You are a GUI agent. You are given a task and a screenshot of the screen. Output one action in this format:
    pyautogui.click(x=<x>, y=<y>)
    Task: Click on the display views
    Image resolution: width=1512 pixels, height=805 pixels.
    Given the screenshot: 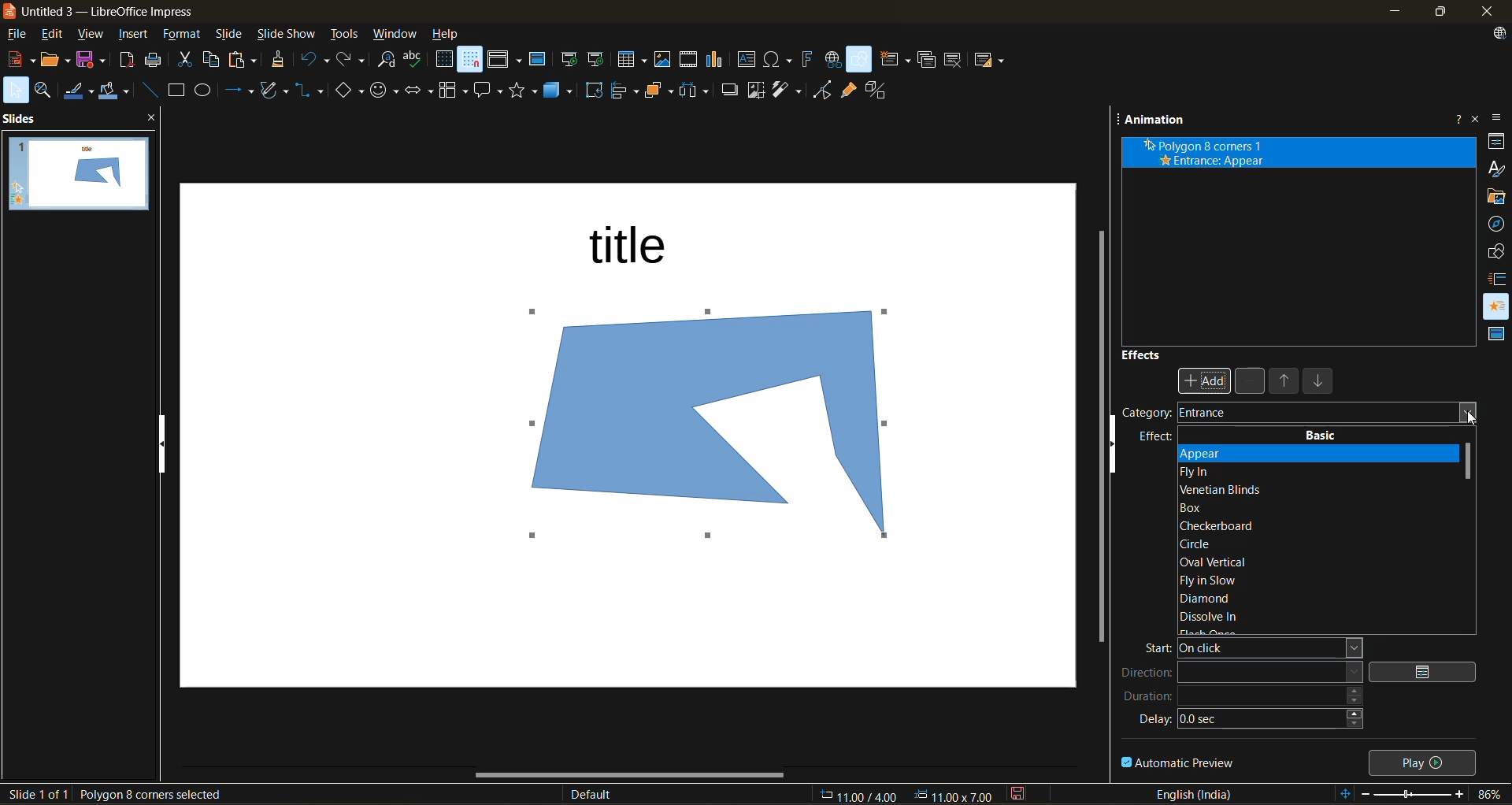 What is the action you would take?
    pyautogui.click(x=503, y=61)
    